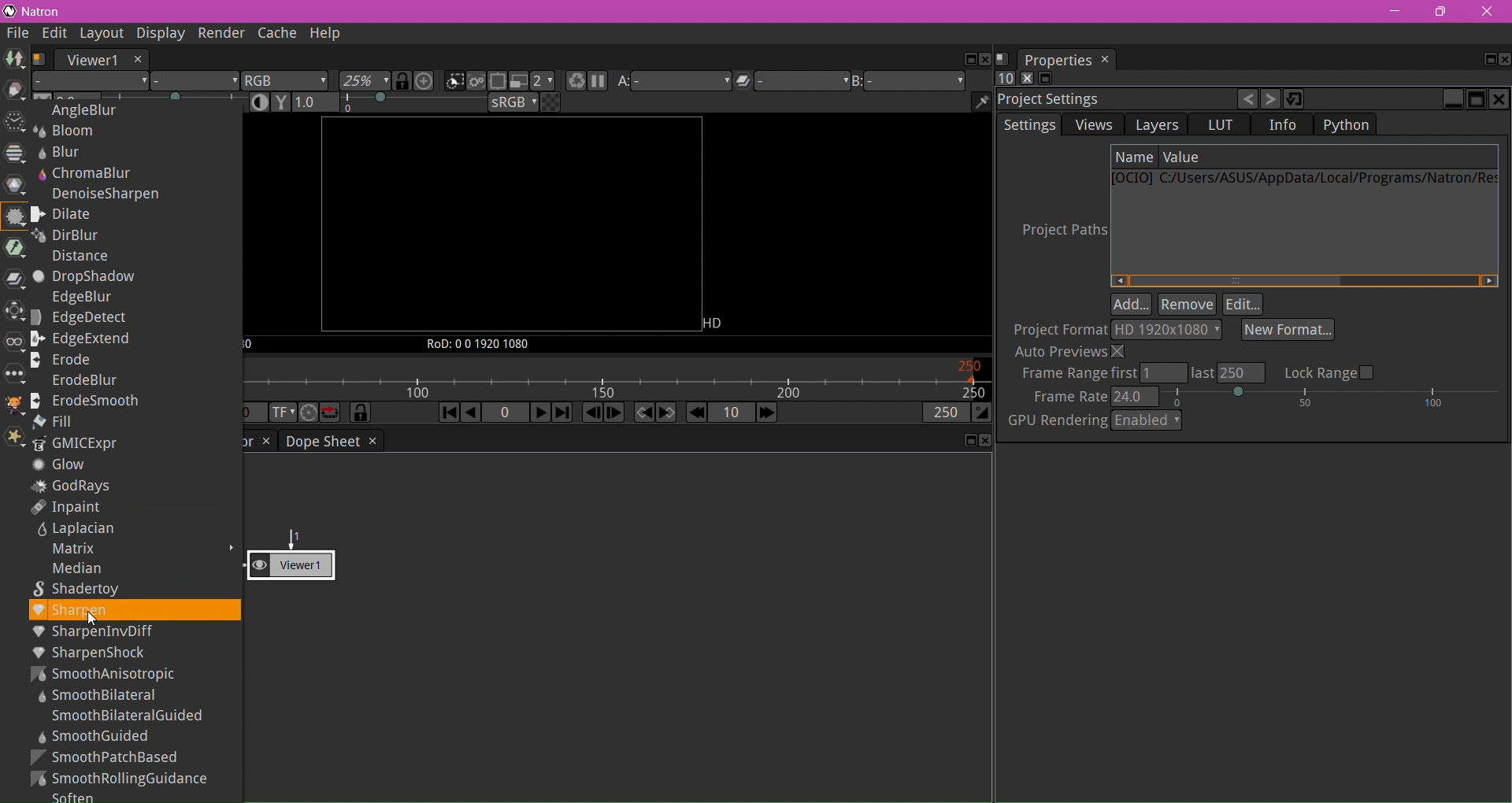 This screenshot has width=1512, height=803. Describe the element at coordinates (673, 83) in the screenshot. I see `Viewer Input A` at that location.